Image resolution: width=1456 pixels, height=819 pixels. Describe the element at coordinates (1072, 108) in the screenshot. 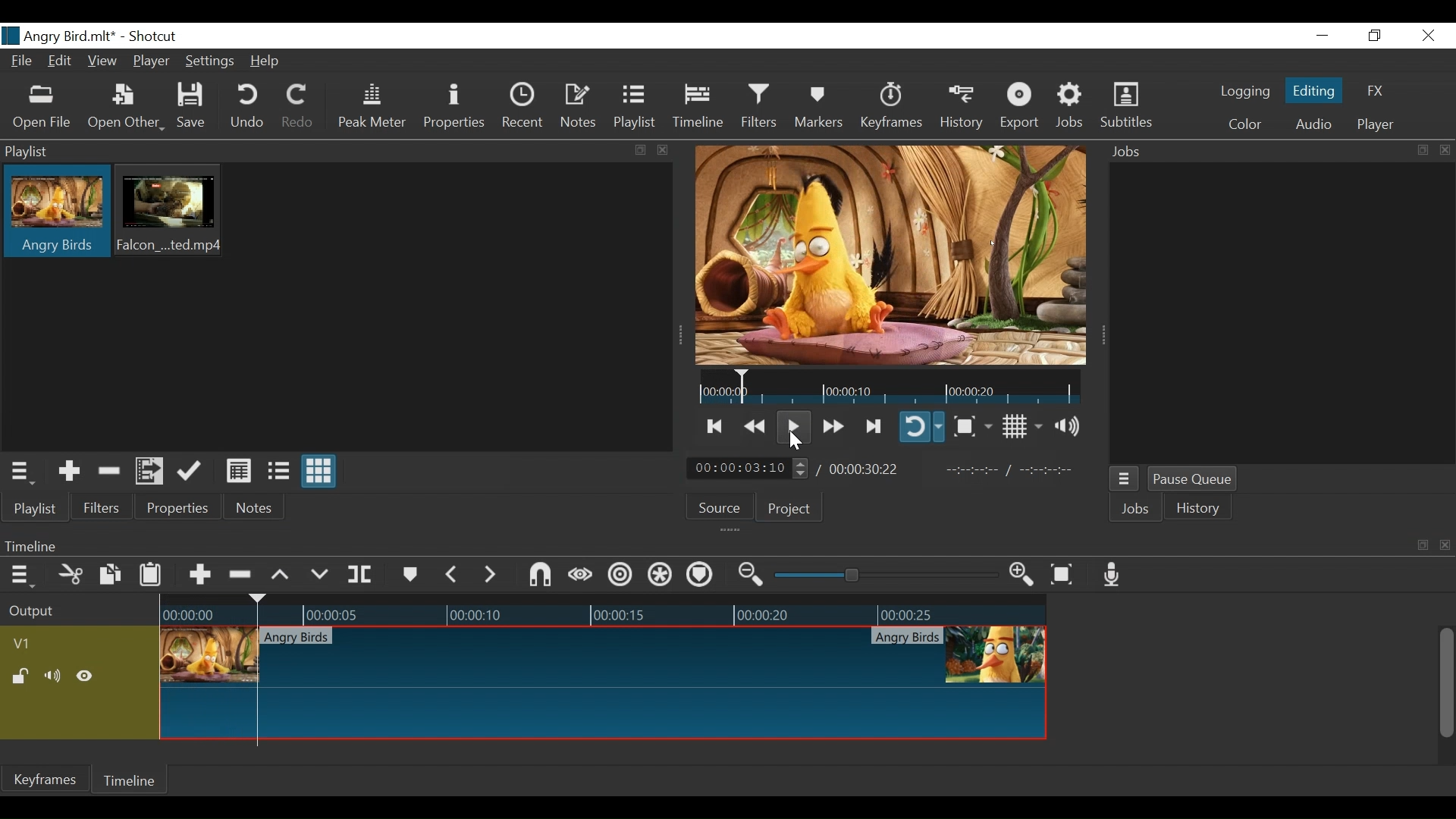

I see `Jobs` at that location.